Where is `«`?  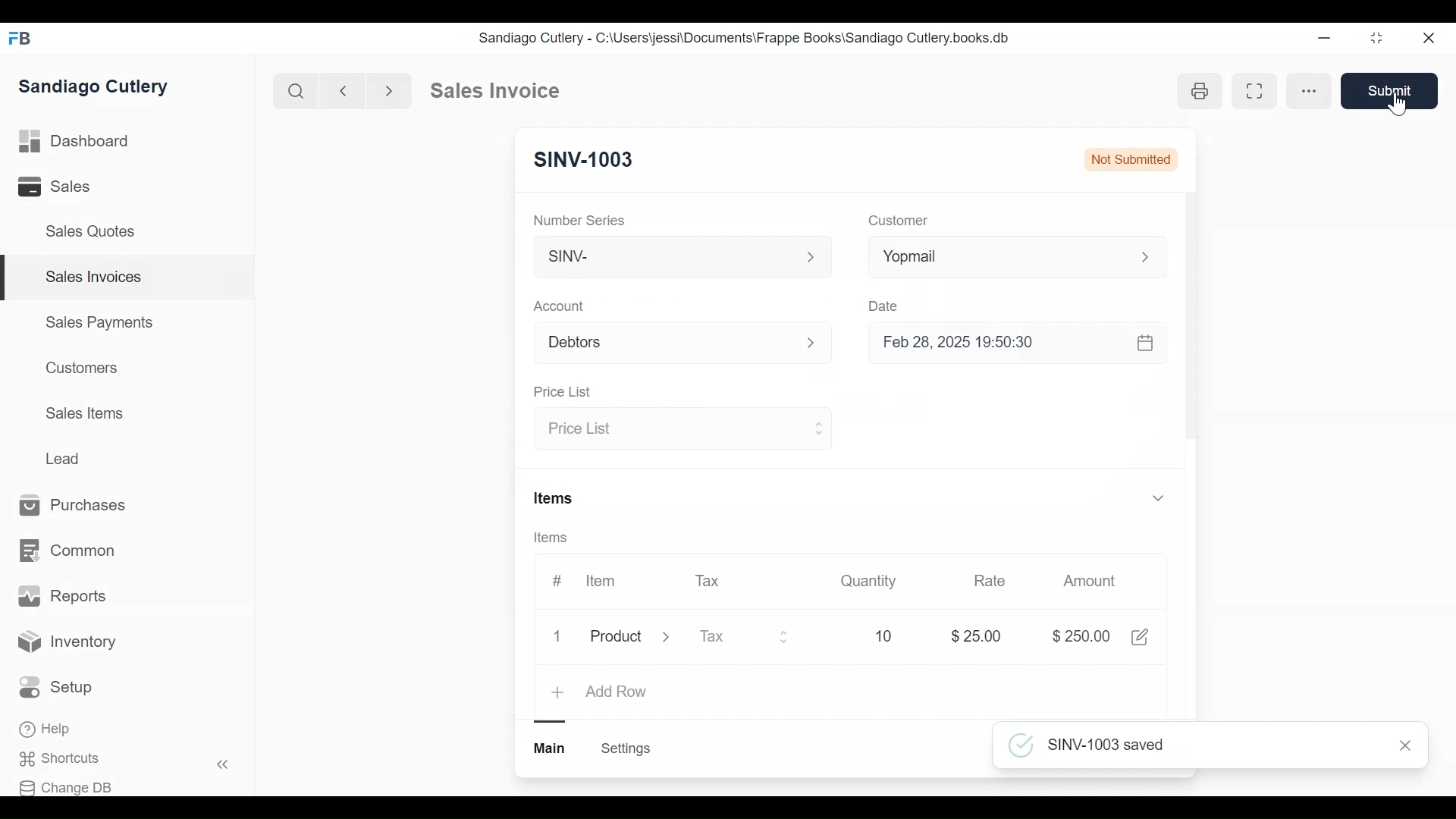 « is located at coordinates (223, 767).